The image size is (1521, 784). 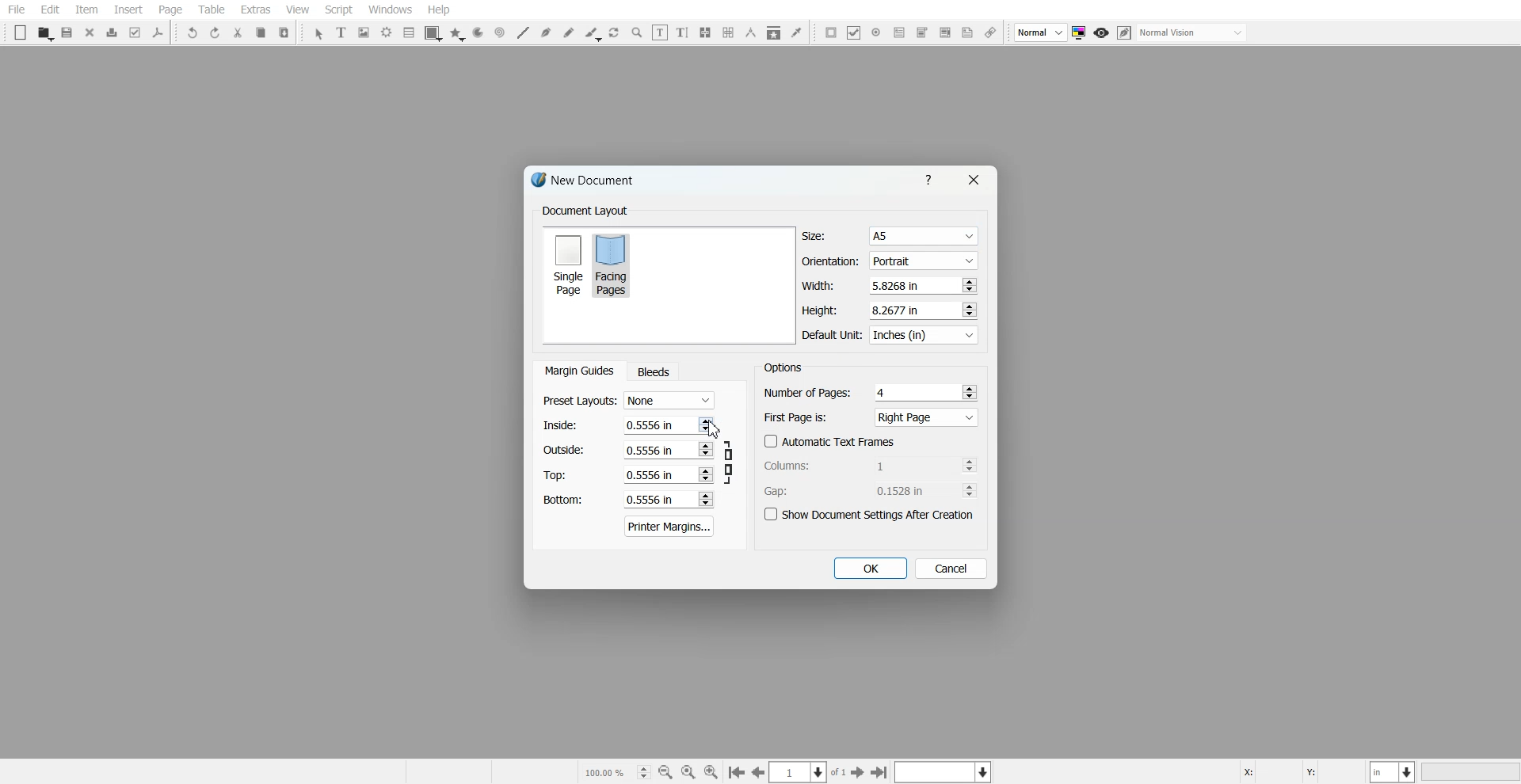 I want to click on Facing Pages, so click(x=614, y=265).